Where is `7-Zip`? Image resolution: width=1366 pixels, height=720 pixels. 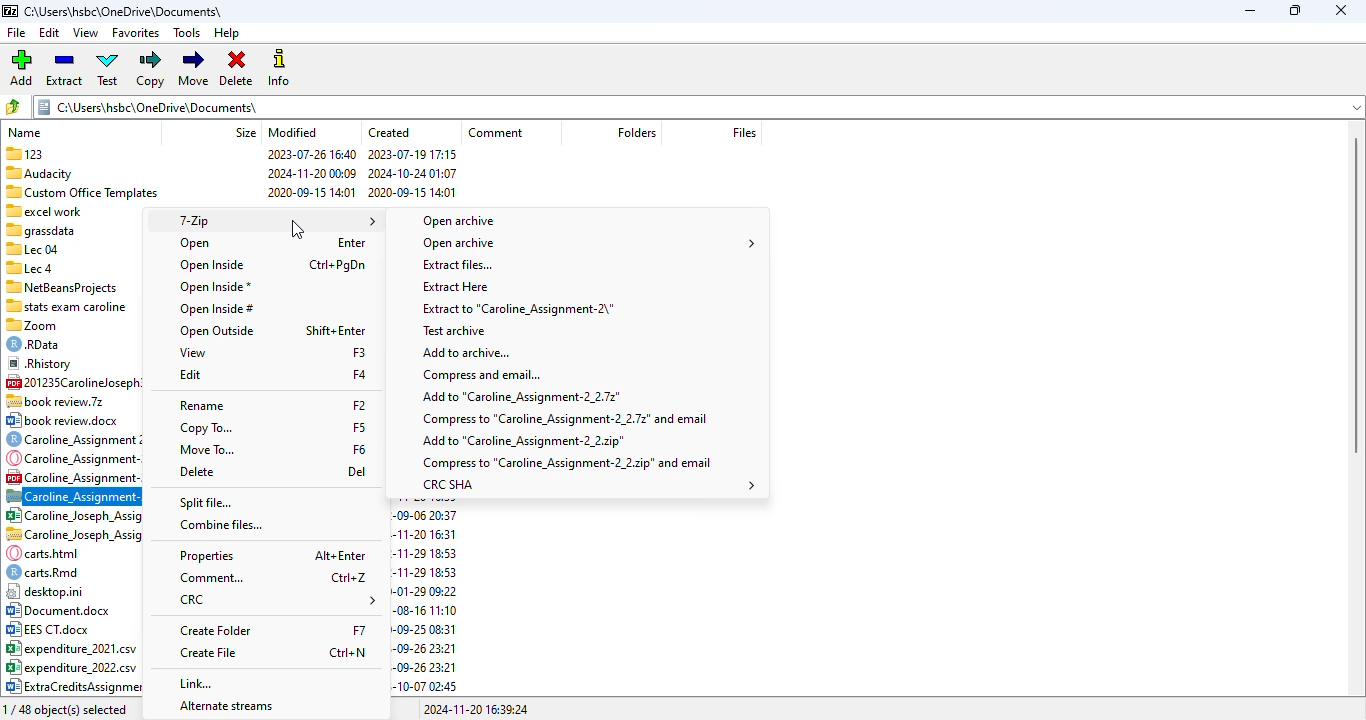 7-Zip is located at coordinates (274, 221).